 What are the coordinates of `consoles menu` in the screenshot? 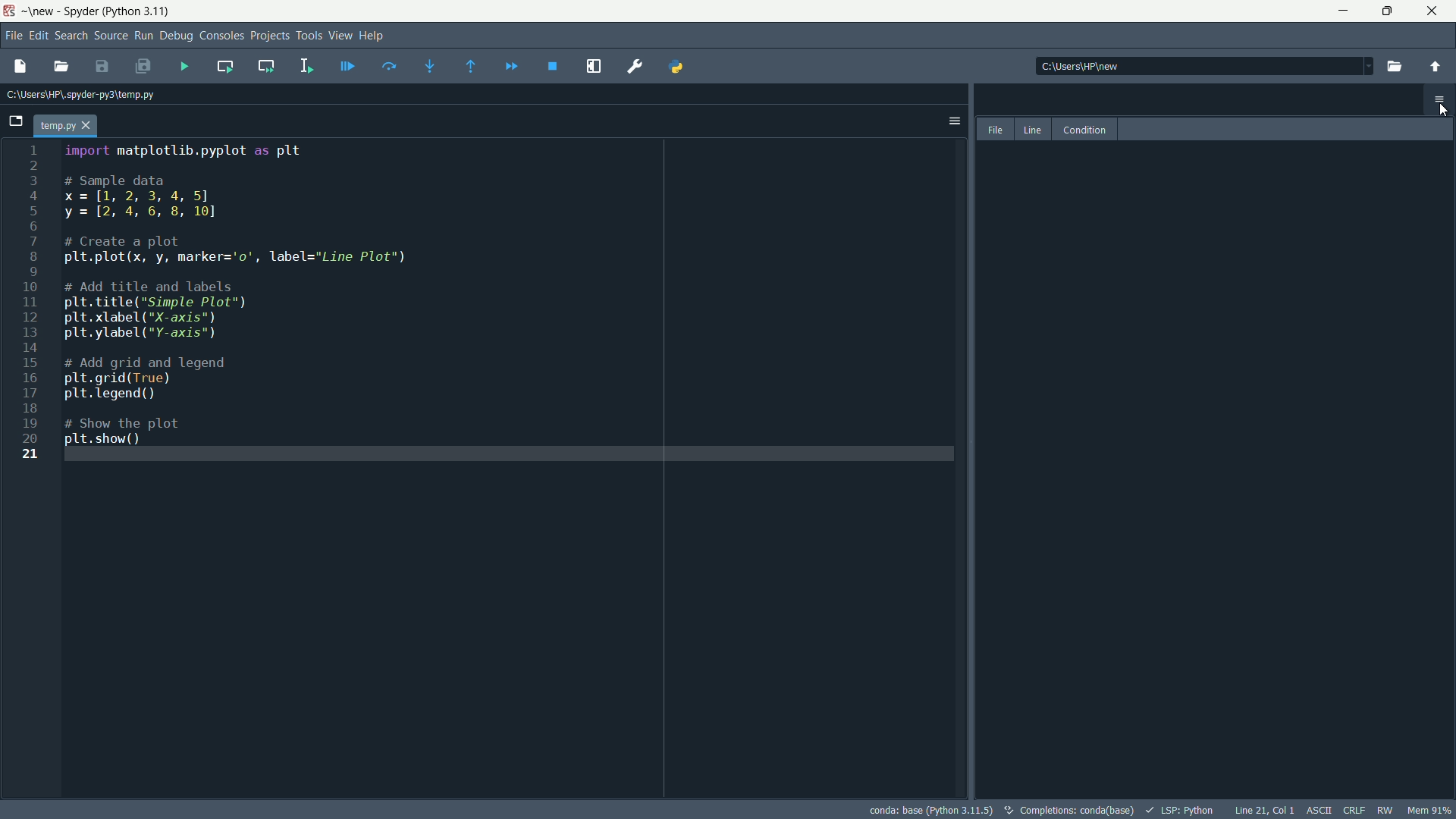 It's located at (221, 35).